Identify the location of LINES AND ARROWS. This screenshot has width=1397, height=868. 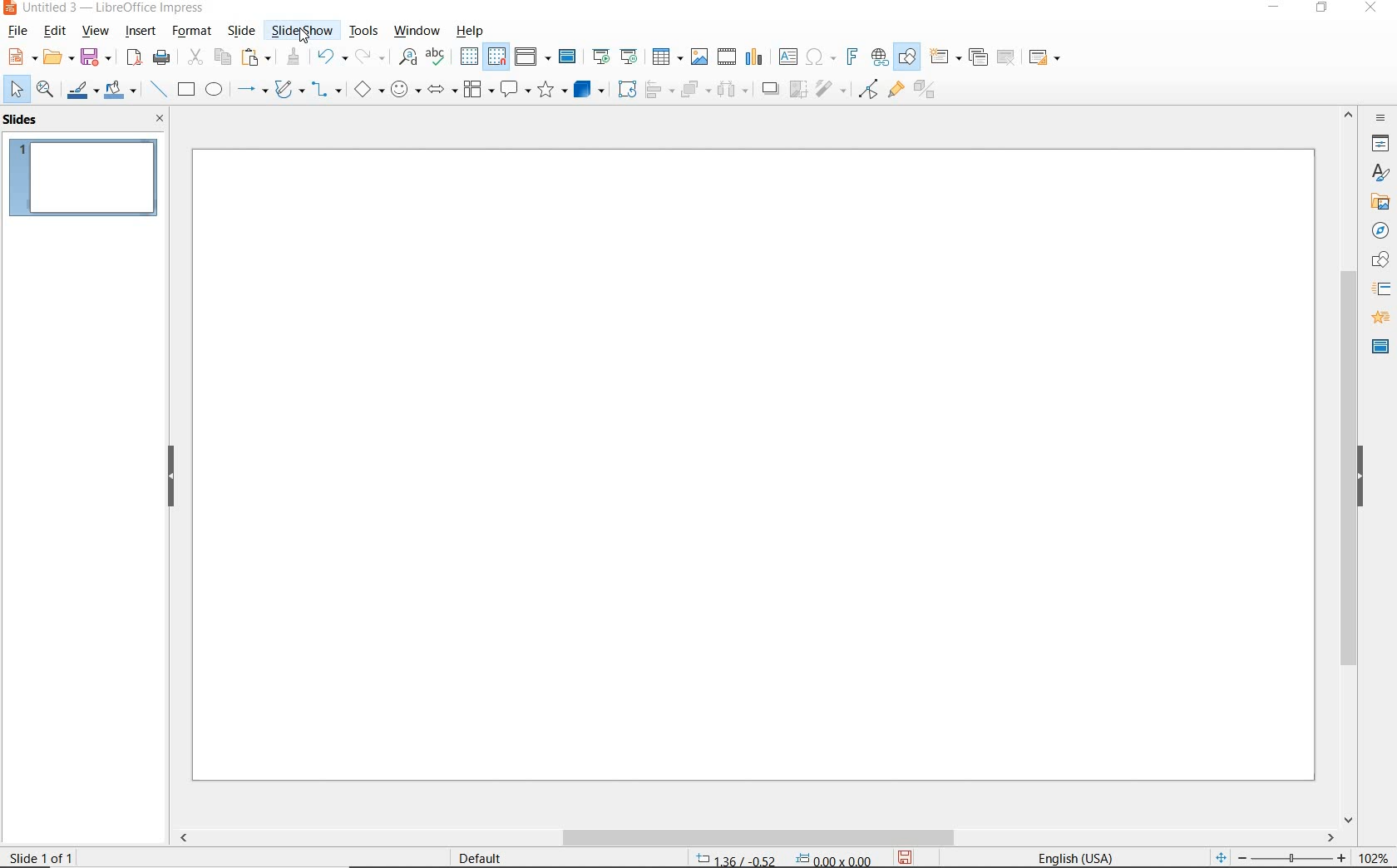
(253, 91).